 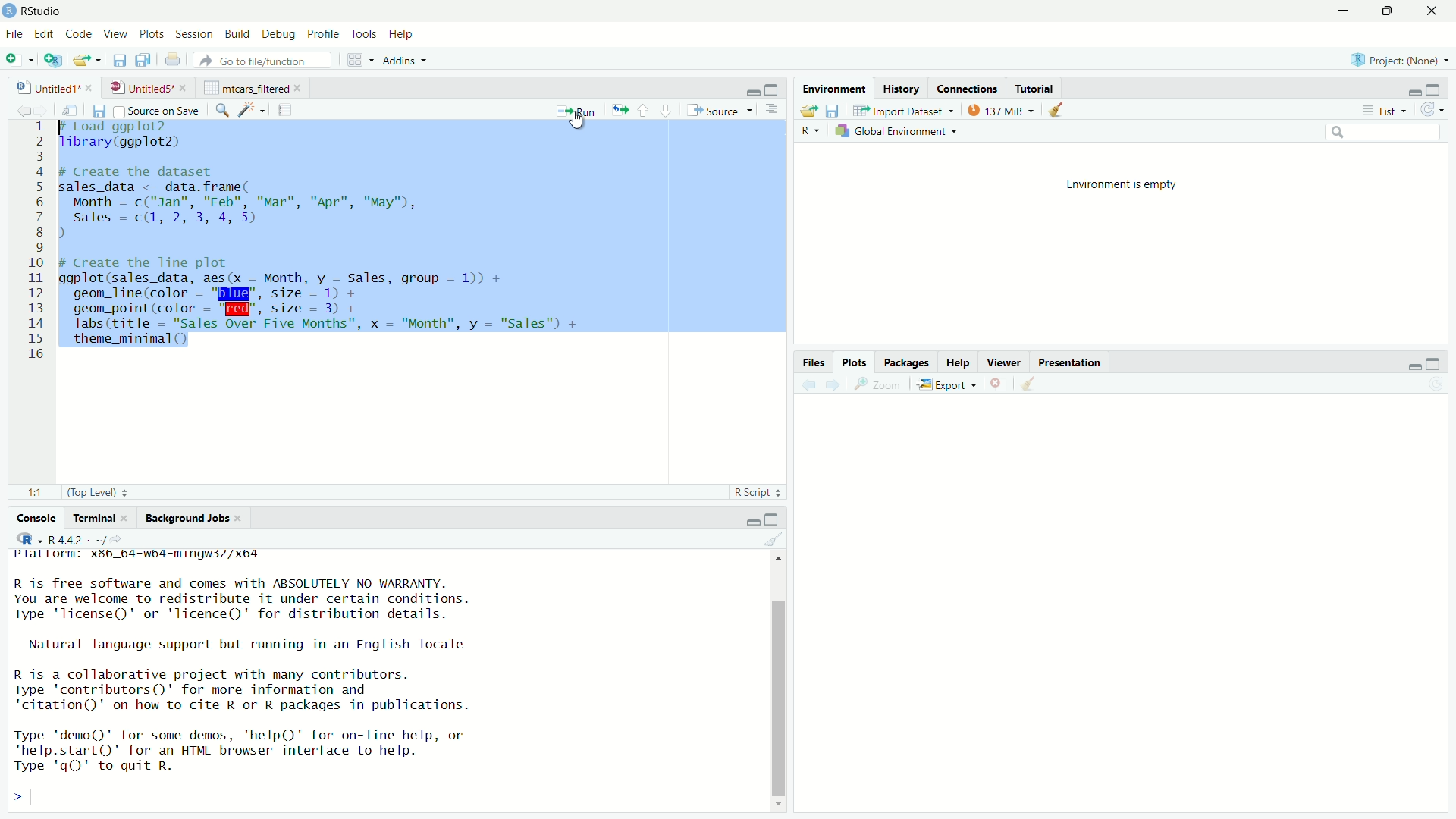 What do you see at coordinates (16, 60) in the screenshot?
I see `new file` at bounding box center [16, 60].